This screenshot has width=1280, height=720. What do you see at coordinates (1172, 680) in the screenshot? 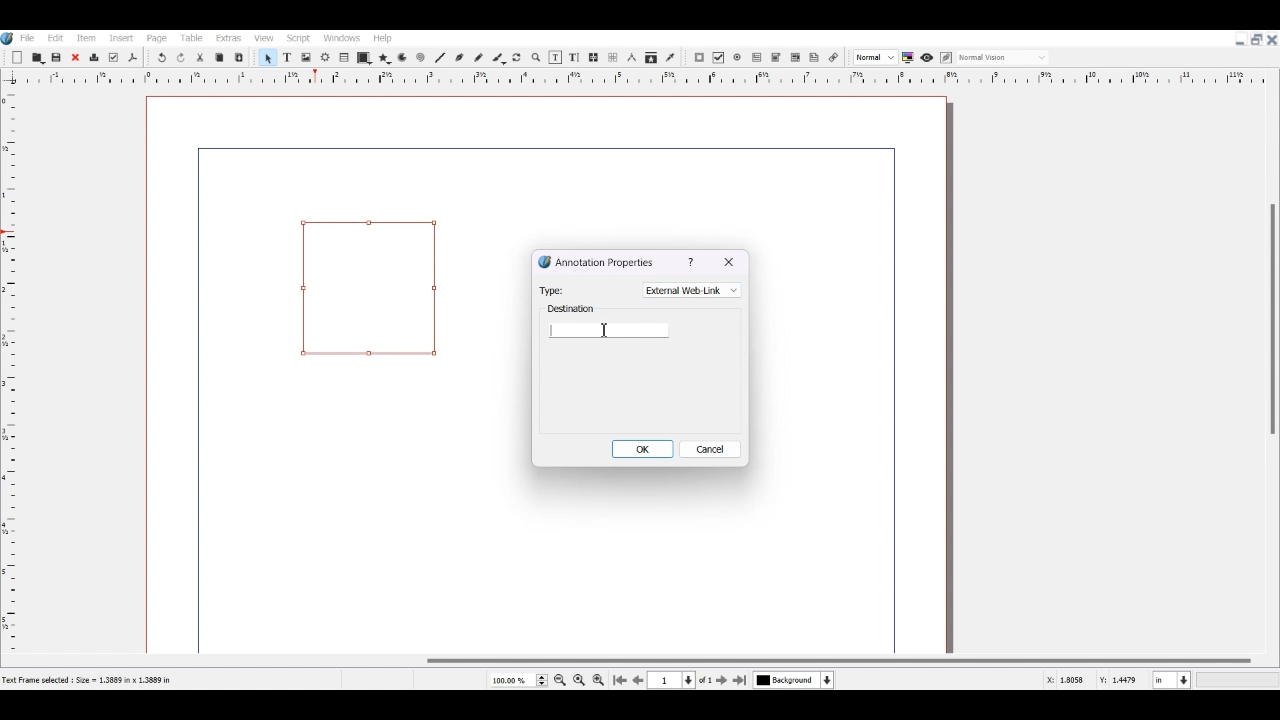
I see `Measurement in Inche` at bounding box center [1172, 680].